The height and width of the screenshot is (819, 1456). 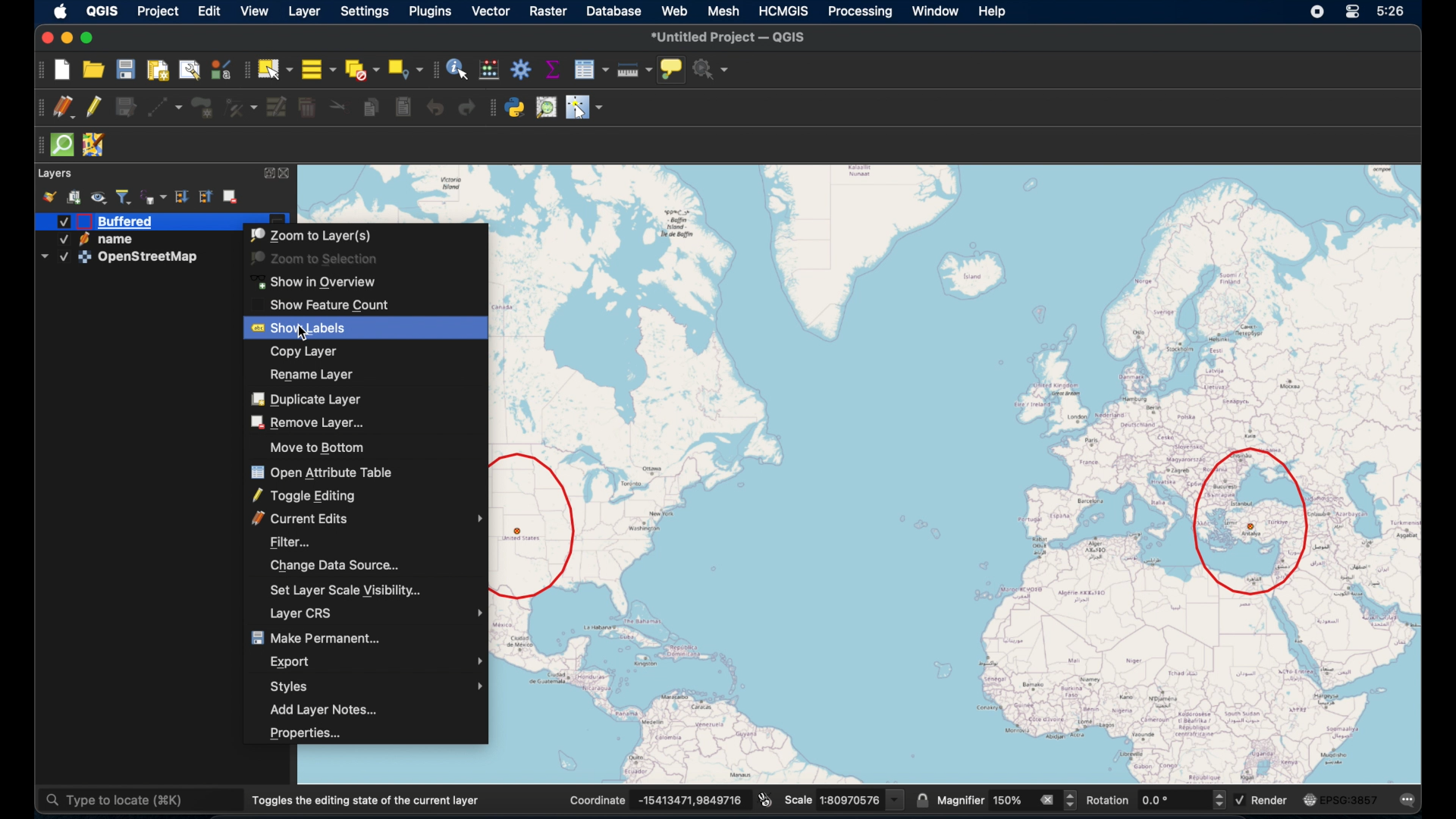 I want to click on change data source, so click(x=336, y=564).